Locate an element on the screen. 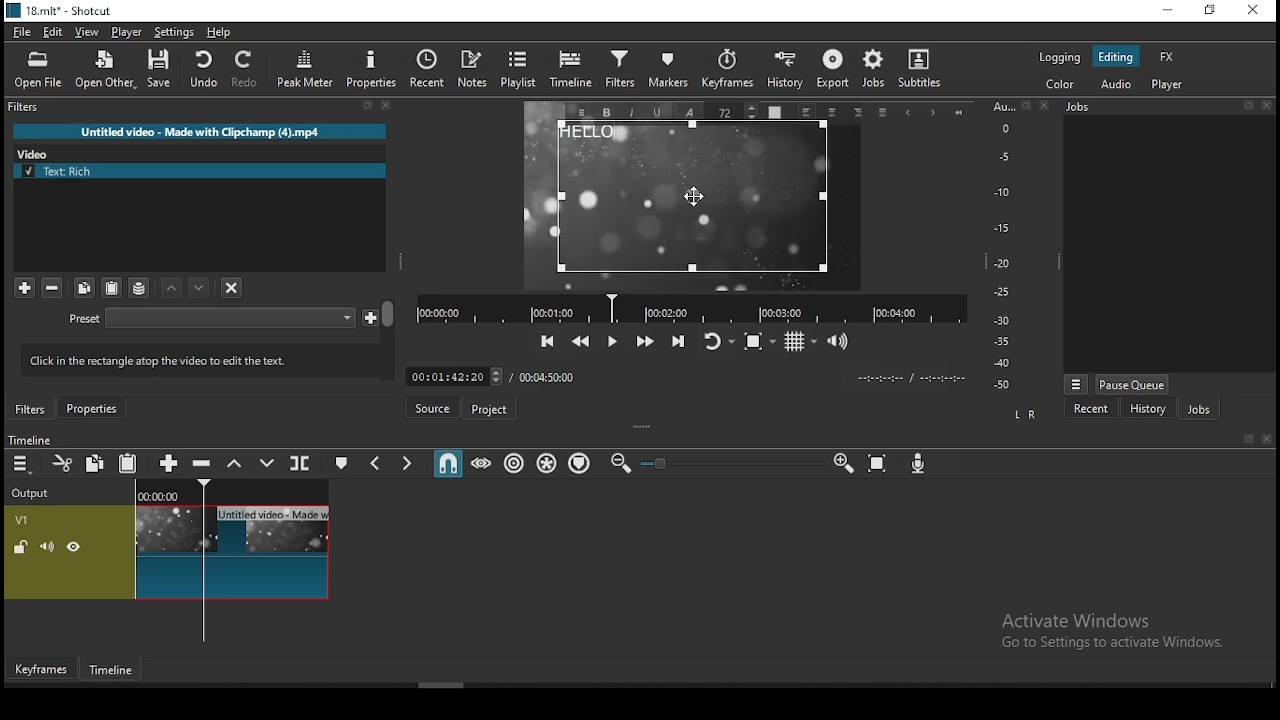 The image size is (1280, 720). overwrite is located at coordinates (266, 462).